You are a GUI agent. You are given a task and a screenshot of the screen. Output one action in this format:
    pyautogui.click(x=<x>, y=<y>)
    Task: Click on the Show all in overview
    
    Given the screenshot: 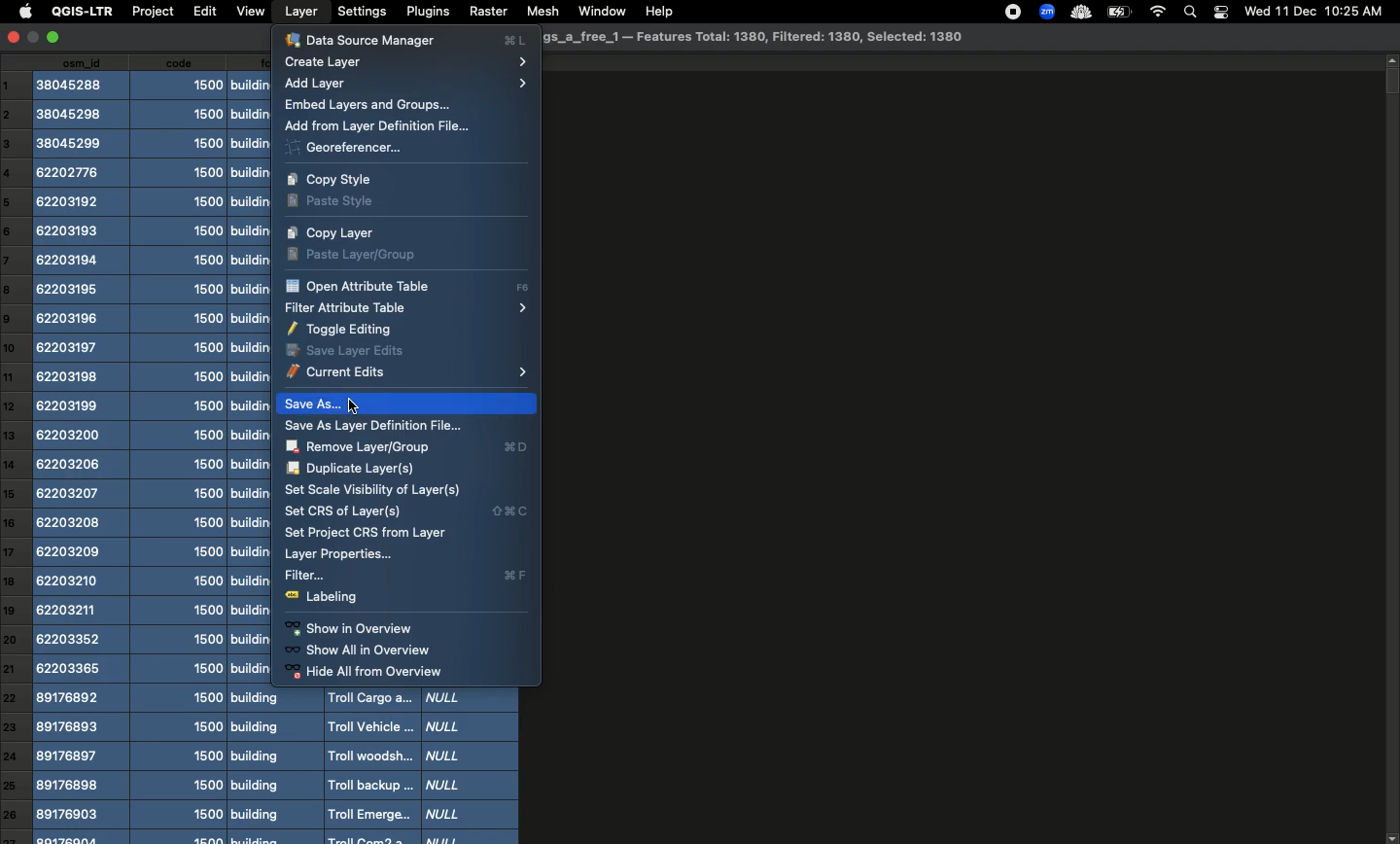 What is the action you would take?
    pyautogui.click(x=361, y=651)
    